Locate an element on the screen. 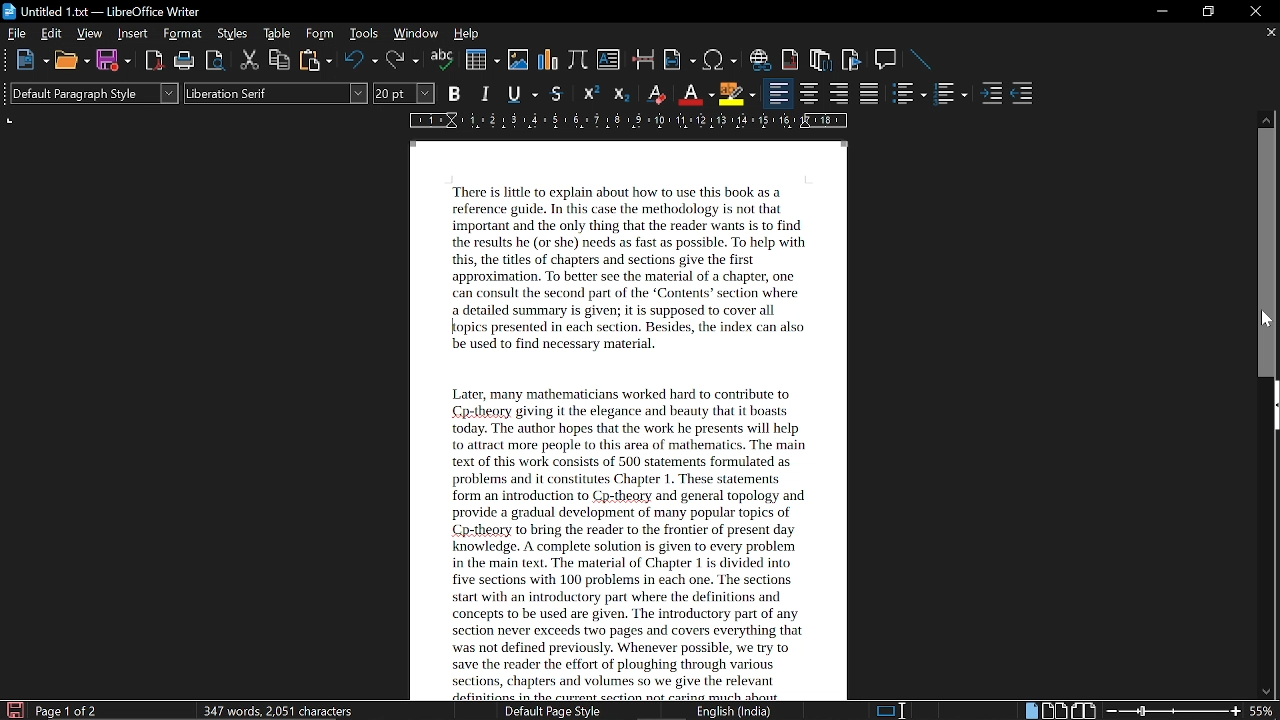 This screenshot has height=720, width=1280. book view is located at coordinates (1083, 709).